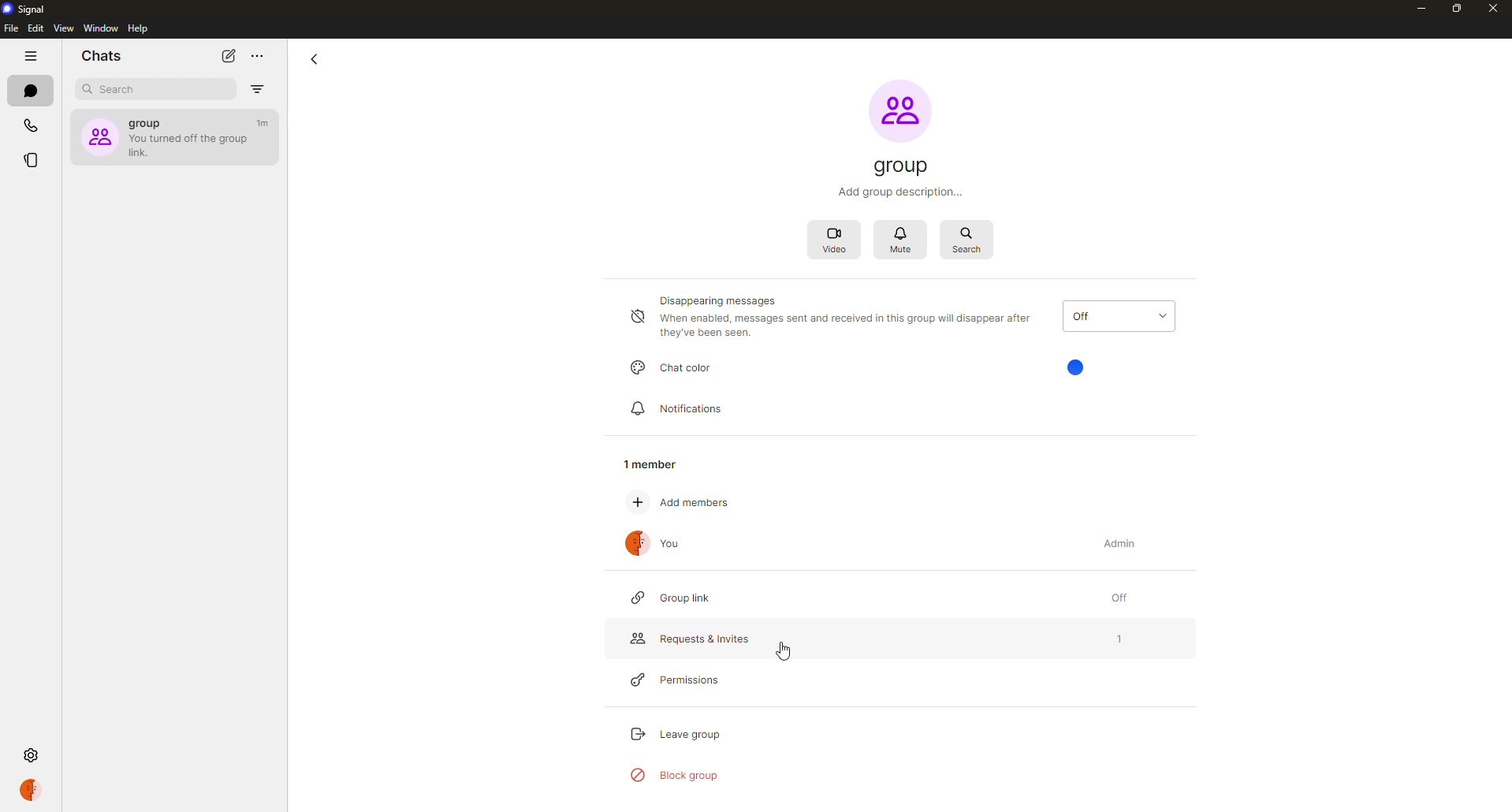 Image resolution: width=1512 pixels, height=812 pixels. What do you see at coordinates (1413, 8) in the screenshot?
I see `minimize` at bounding box center [1413, 8].